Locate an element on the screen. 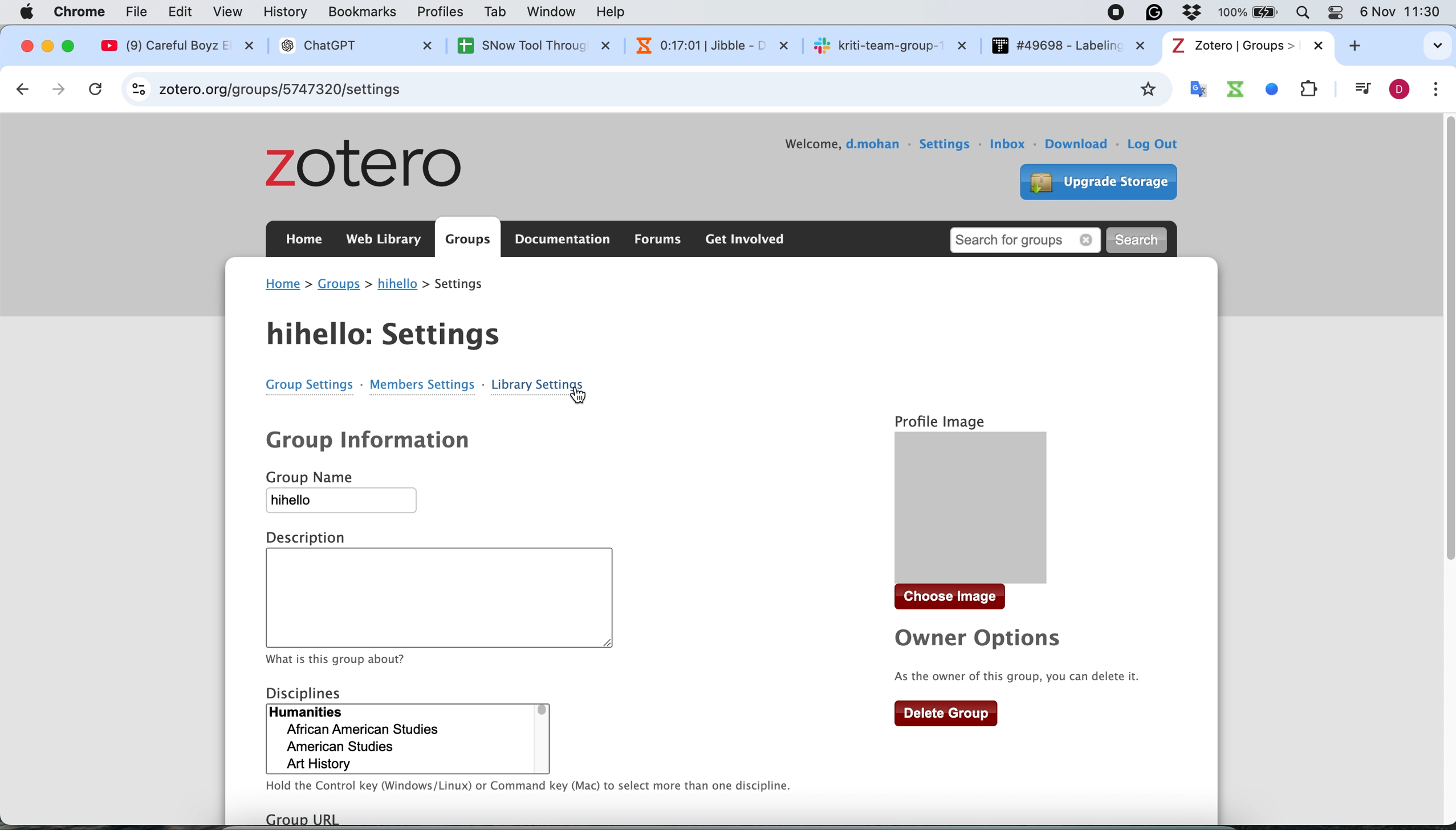  edit is located at coordinates (184, 13).